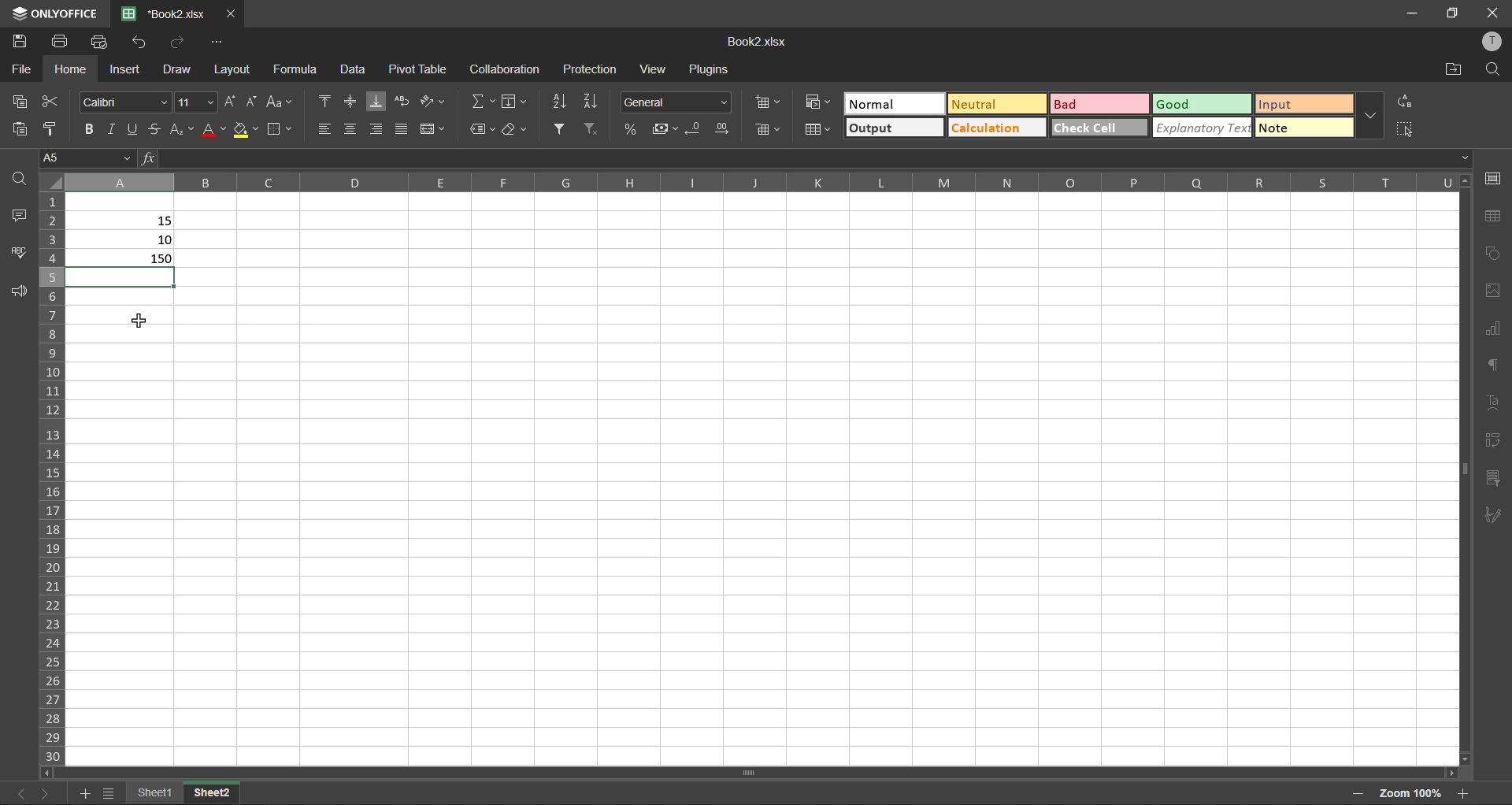 This screenshot has height=805, width=1512. What do you see at coordinates (766, 128) in the screenshot?
I see `delete cells` at bounding box center [766, 128].